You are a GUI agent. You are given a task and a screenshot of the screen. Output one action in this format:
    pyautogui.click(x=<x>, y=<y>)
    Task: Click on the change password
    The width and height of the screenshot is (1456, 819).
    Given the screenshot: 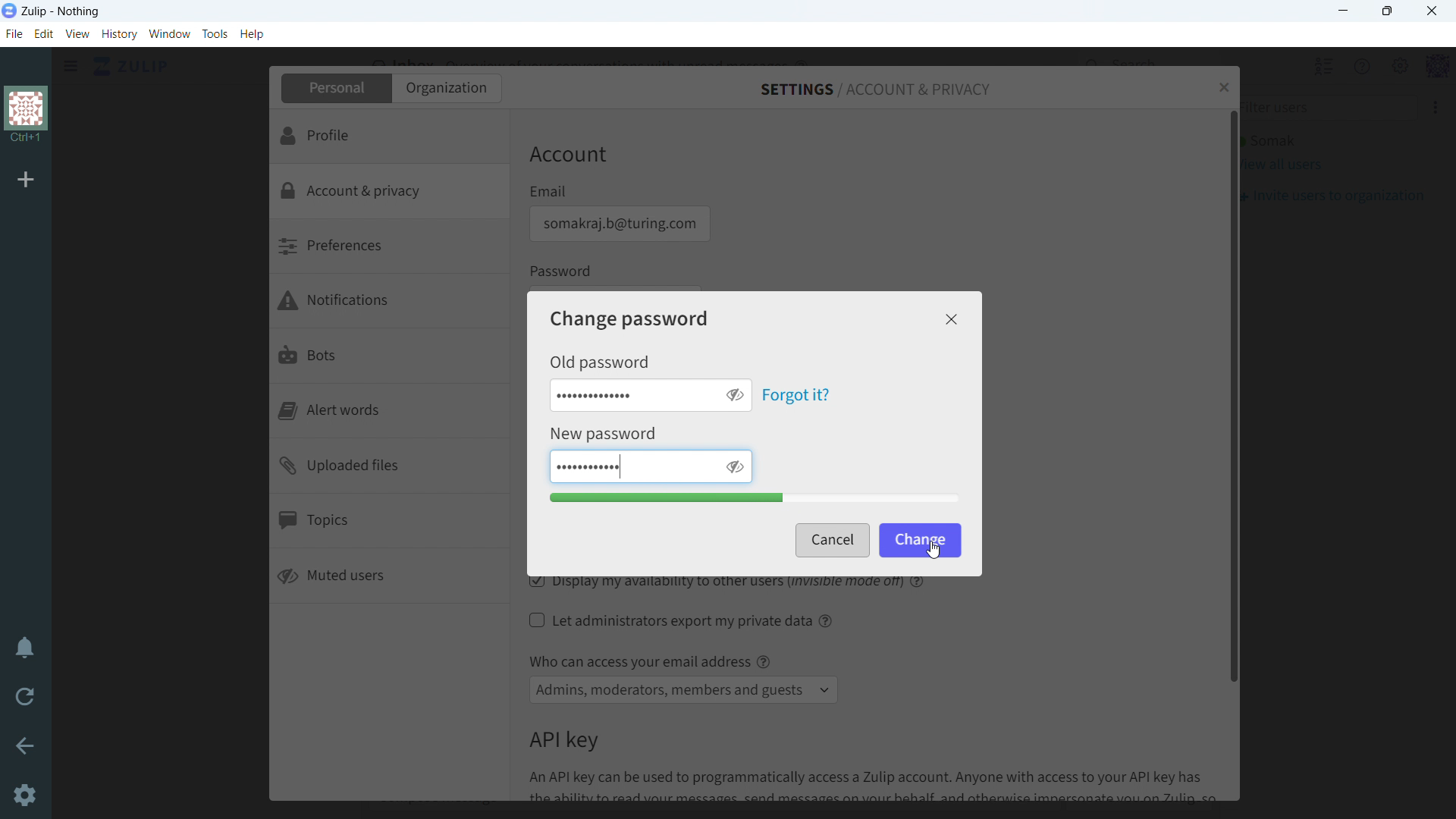 What is the action you would take?
    pyautogui.click(x=630, y=318)
    